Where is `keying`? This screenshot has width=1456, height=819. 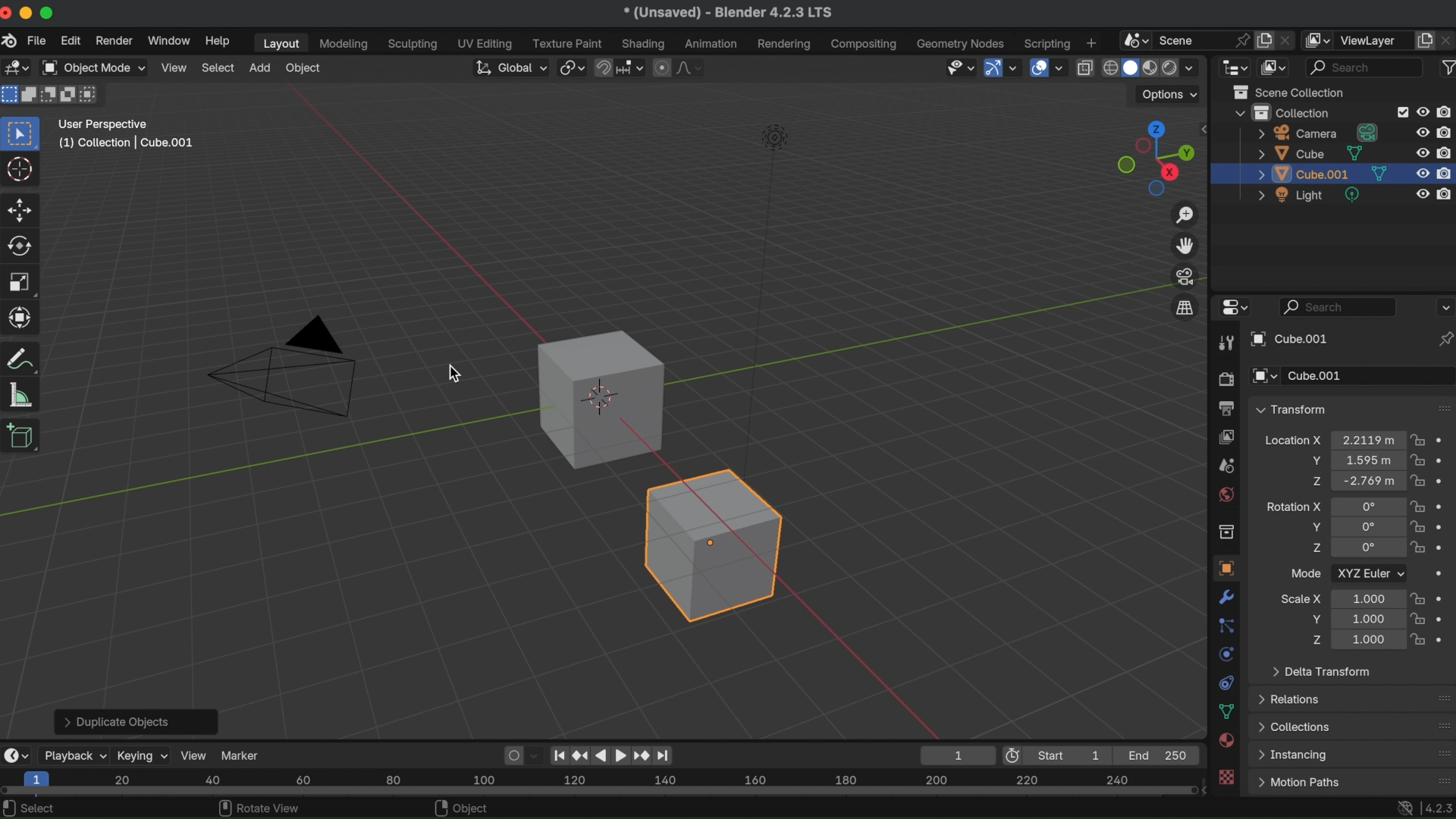 keying is located at coordinates (142, 755).